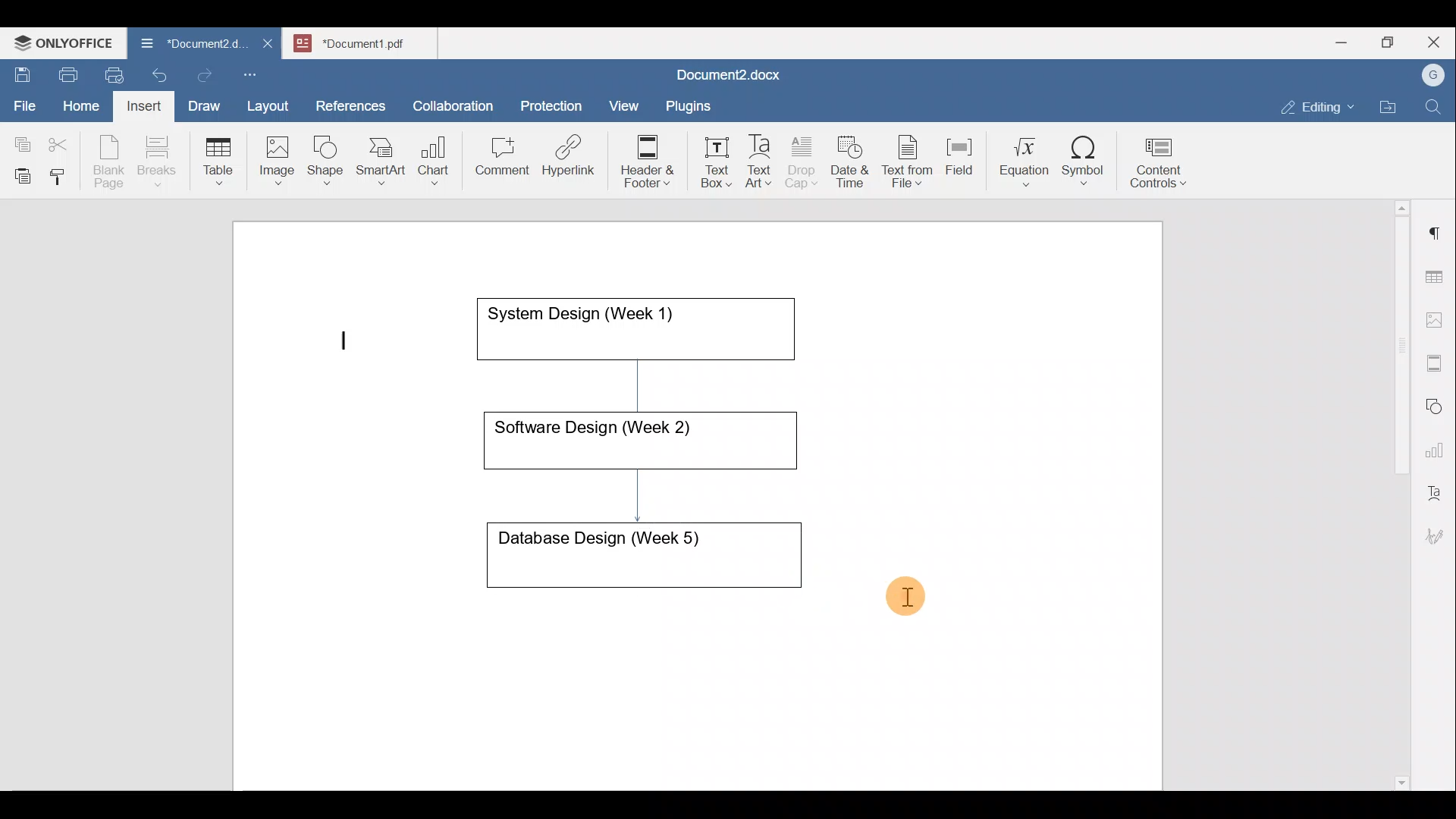  What do you see at coordinates (271, 103) in the screenshot?
I see `Layout` at bounding box center [271, 103].